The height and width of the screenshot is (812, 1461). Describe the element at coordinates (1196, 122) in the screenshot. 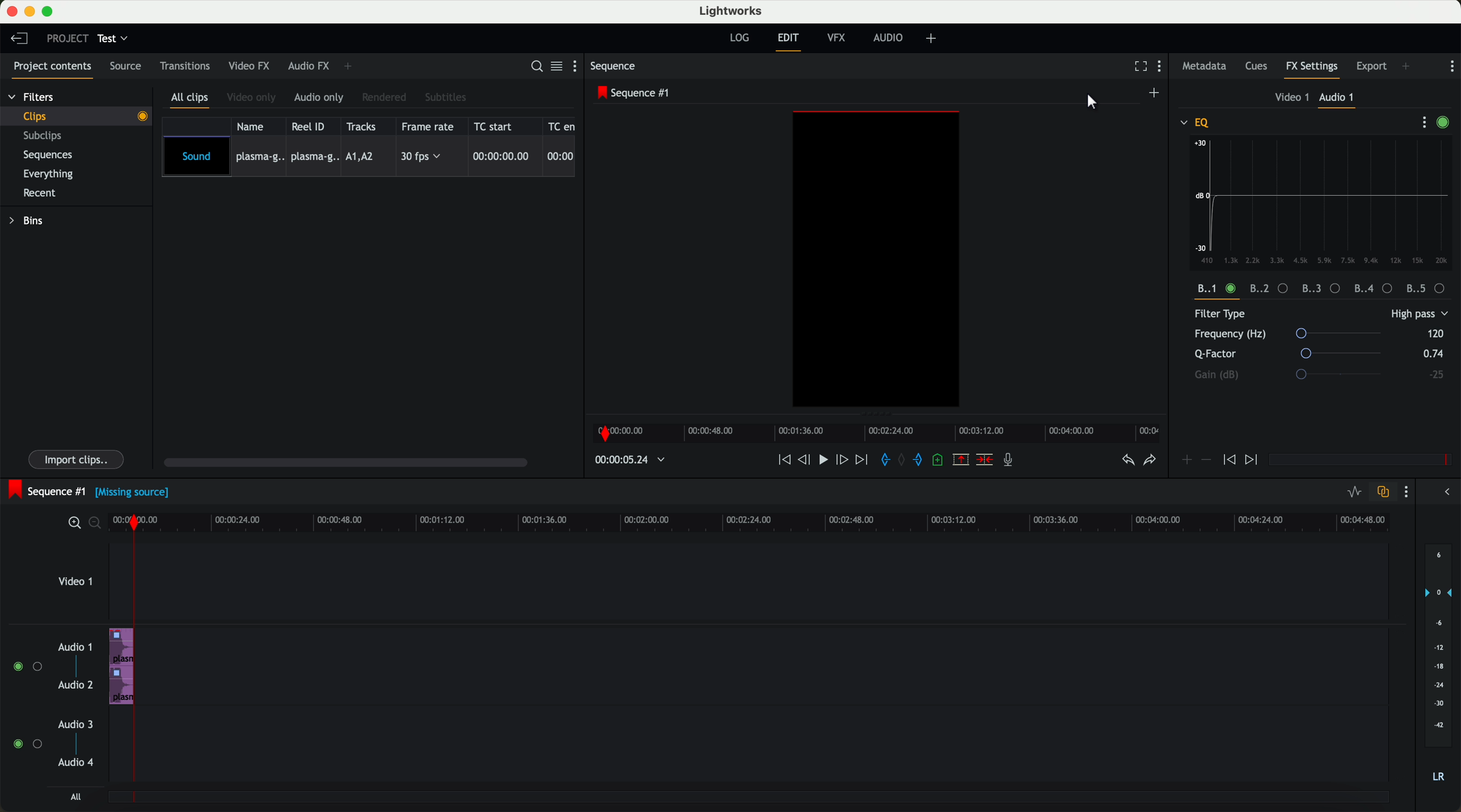

I see `EQ` at that location.